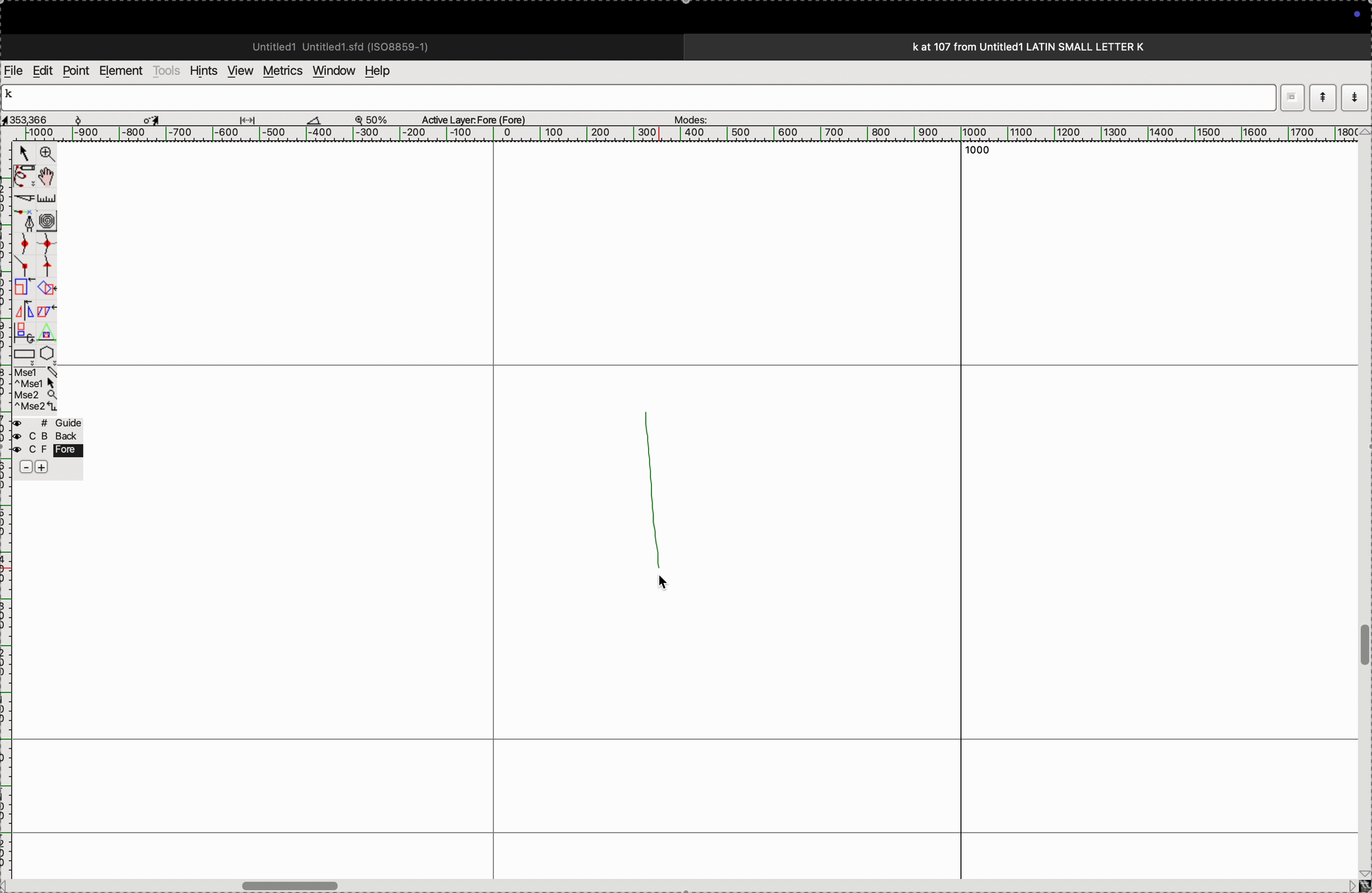  Describe the element at coordinates (24, 176) in the screenshot. I see `pen` at that location.